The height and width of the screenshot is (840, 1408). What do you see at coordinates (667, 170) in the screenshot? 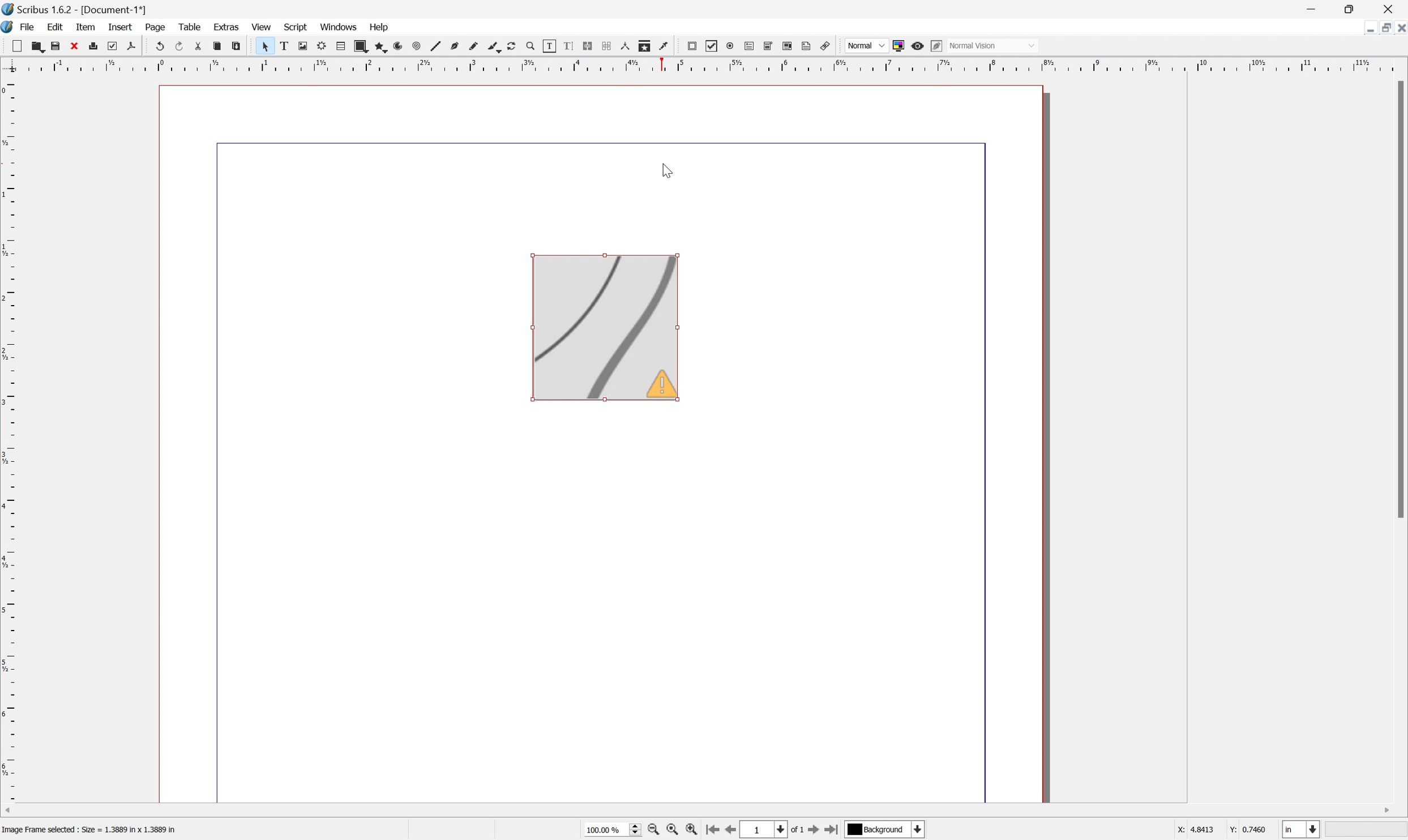
I see `cursor` at bounding box center [667, 170].